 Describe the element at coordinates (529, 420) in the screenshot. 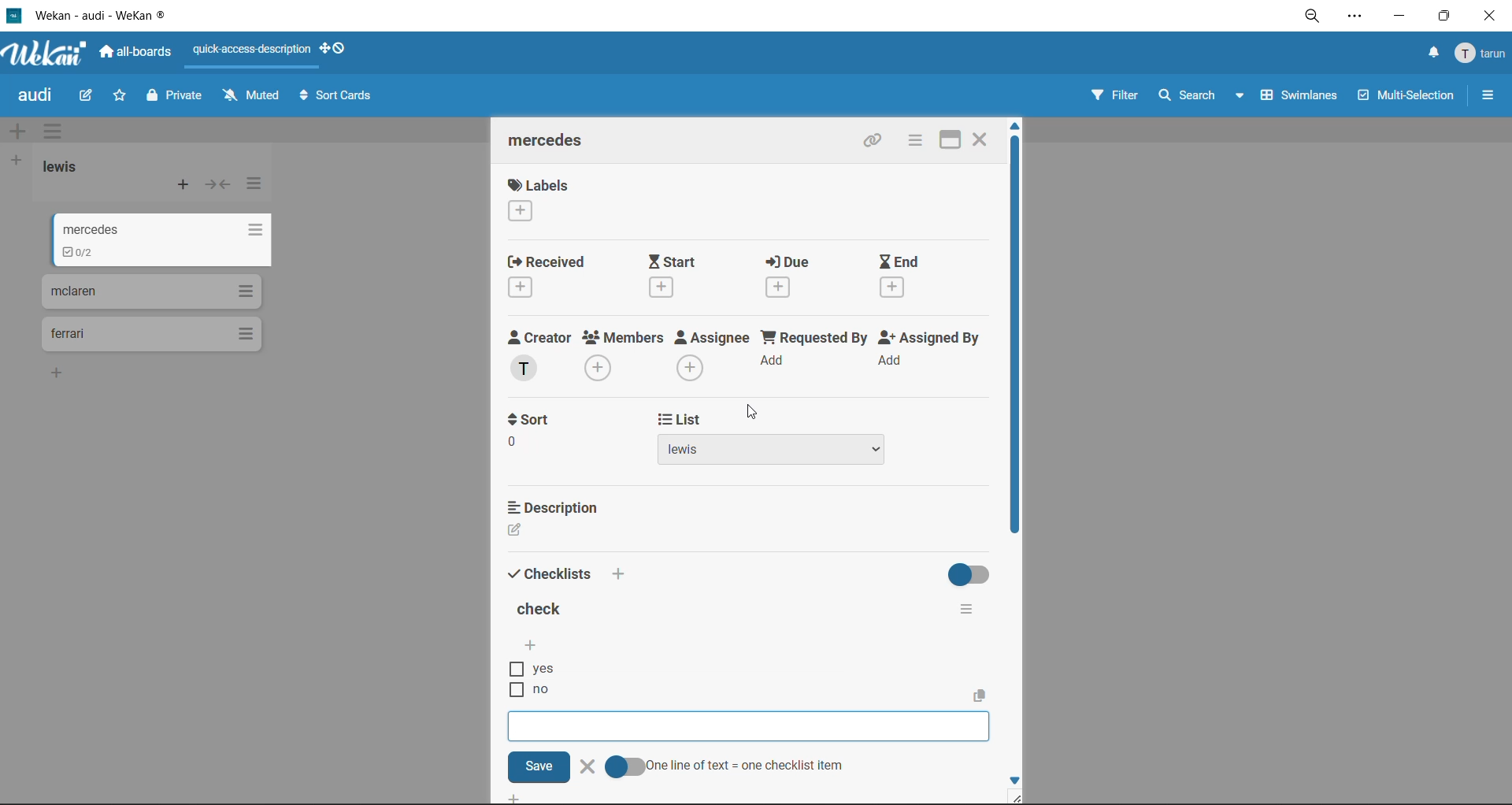

I see `t` at that location.